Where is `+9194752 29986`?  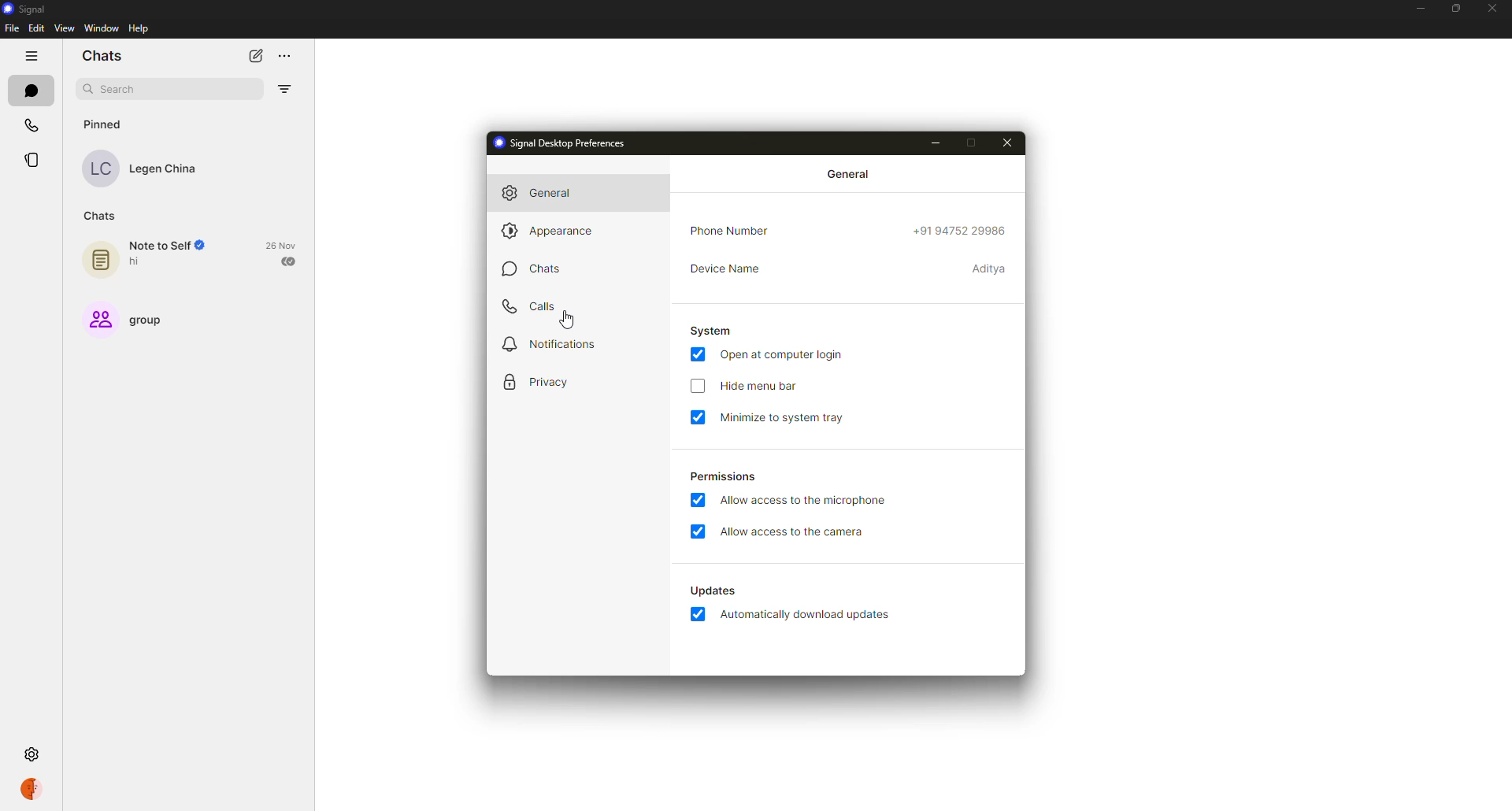
+9194752 29986 is located at coordinates (958, 231).